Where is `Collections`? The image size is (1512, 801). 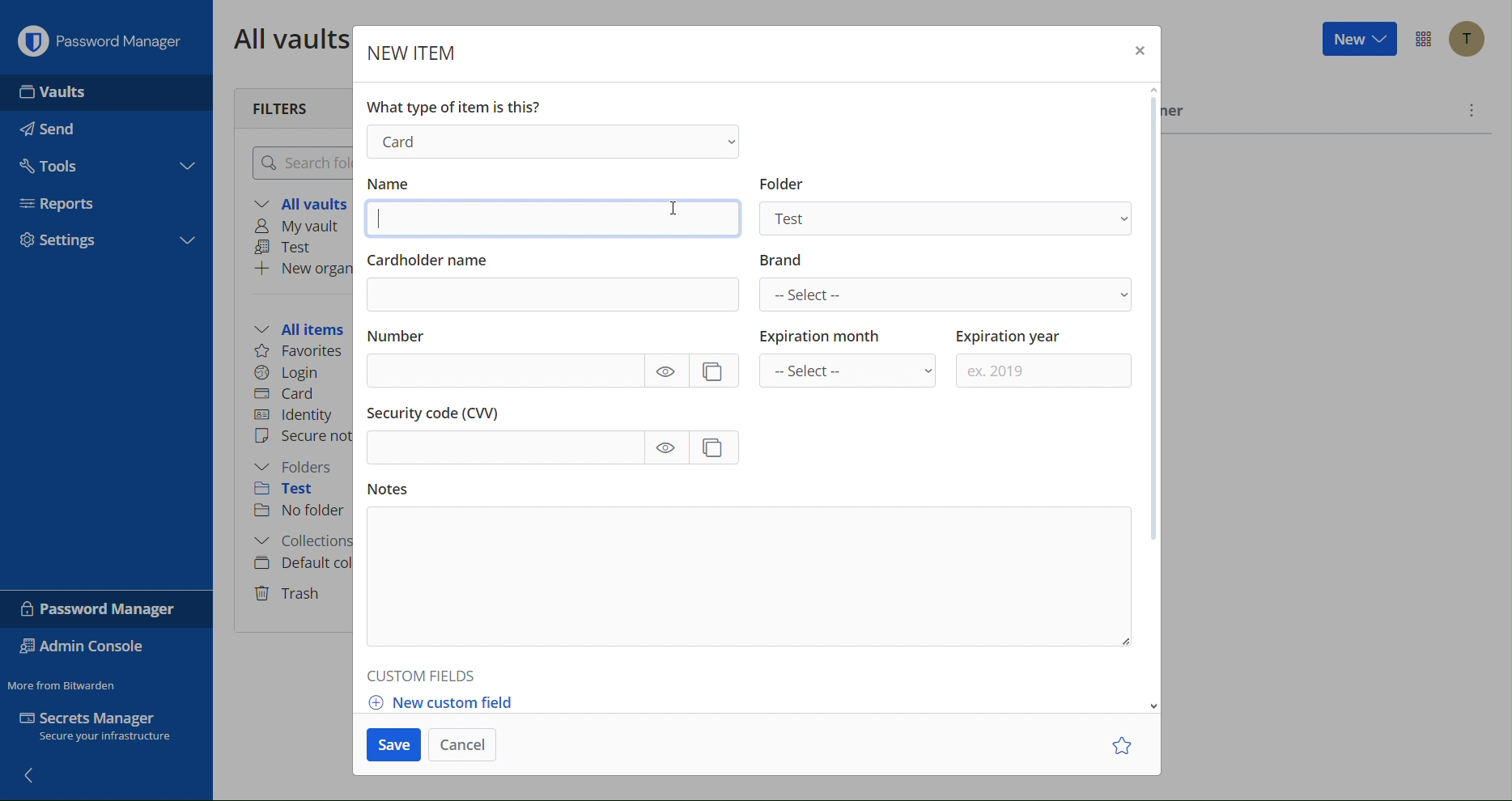 Collections is located at coordinates (304, 538).